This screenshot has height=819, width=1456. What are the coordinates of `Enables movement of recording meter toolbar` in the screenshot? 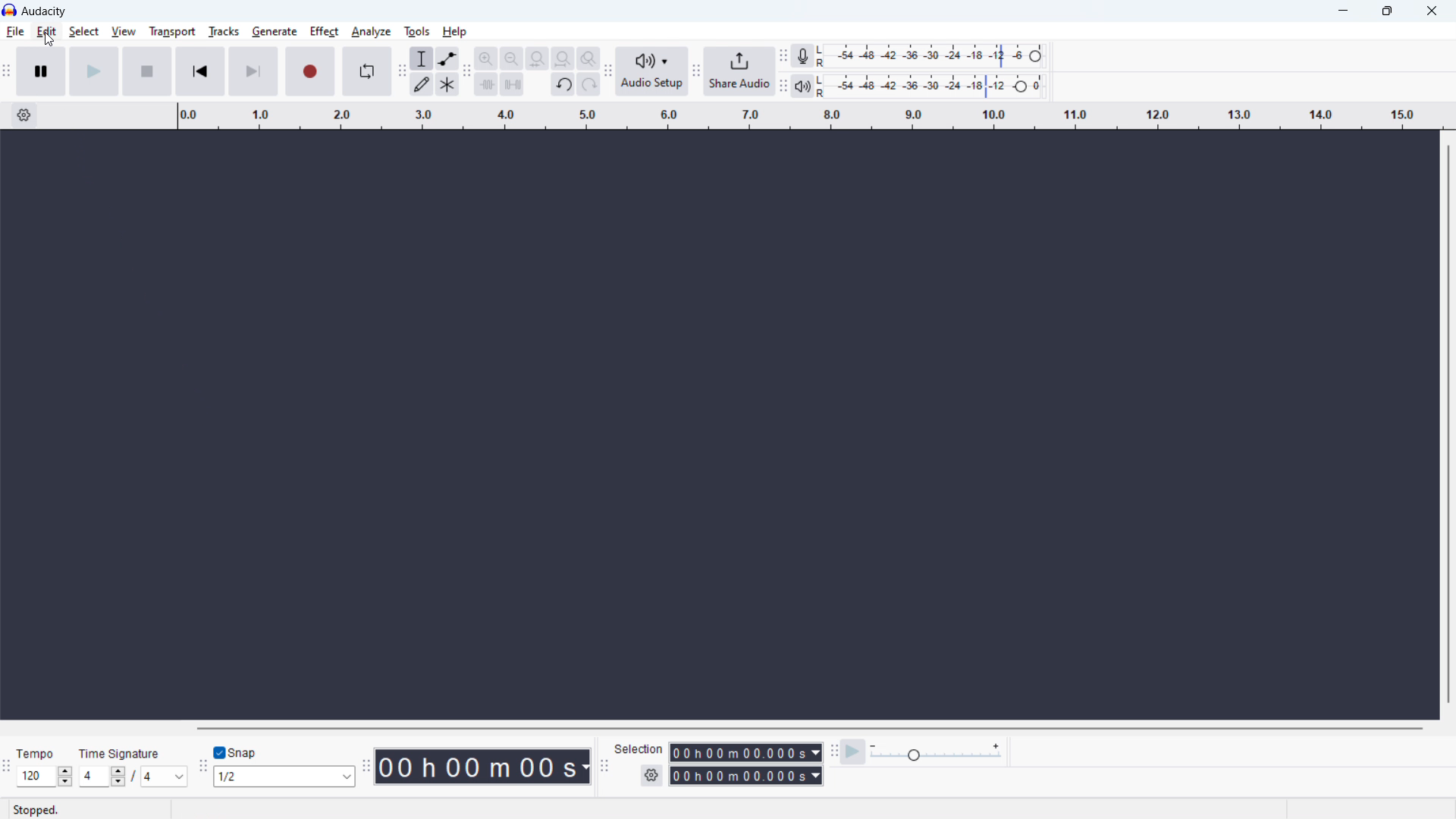 It's located at (783, 55).